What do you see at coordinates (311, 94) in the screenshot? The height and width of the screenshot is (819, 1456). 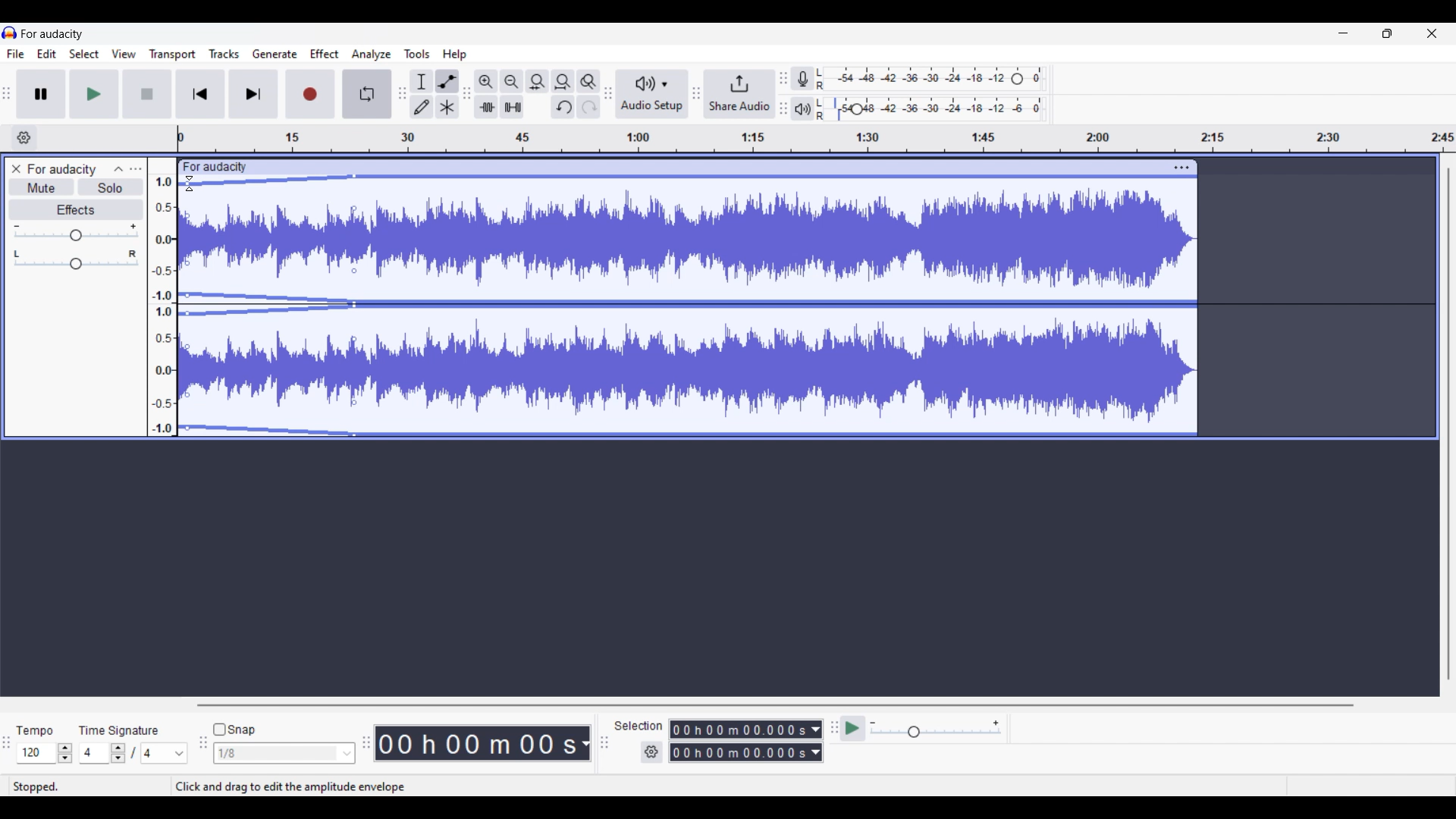 I see `Record/Record new track` at bounding box center [311, 94].